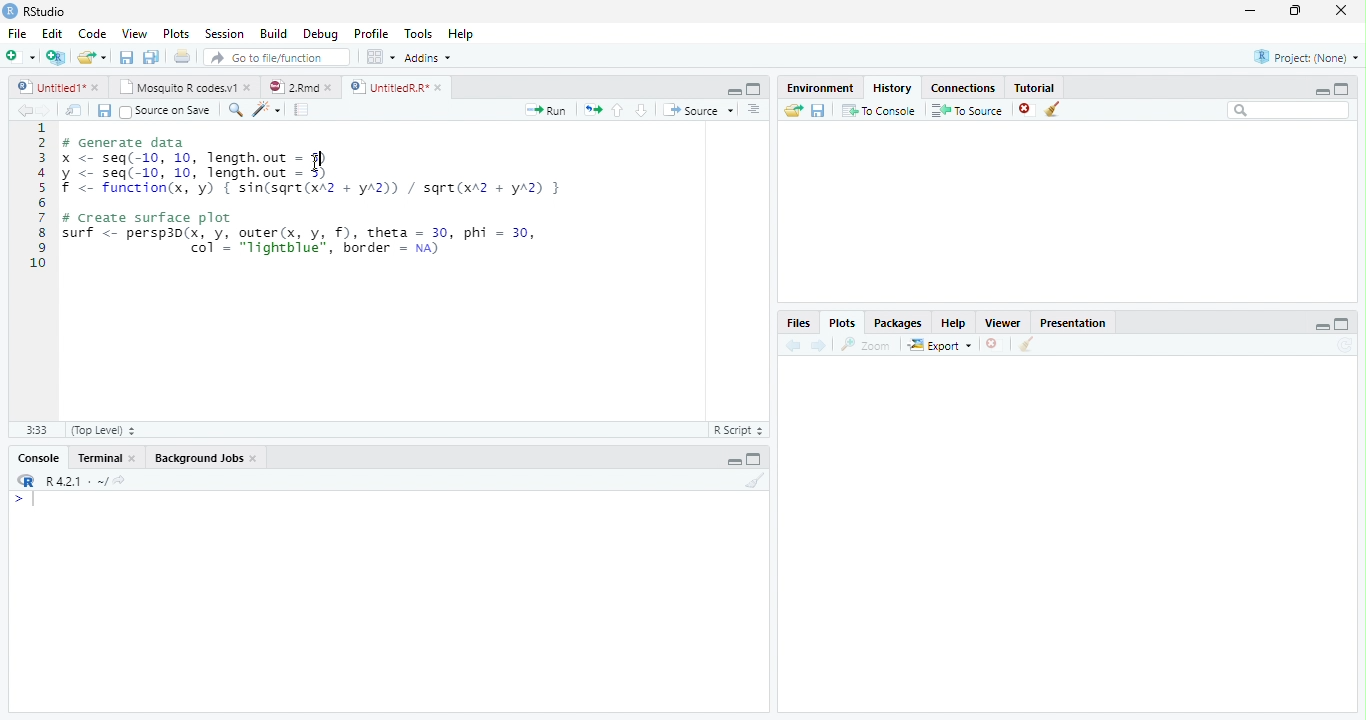 This screenshot has height=720, width=1366. I want to click on Minimize, so click(732, 91).